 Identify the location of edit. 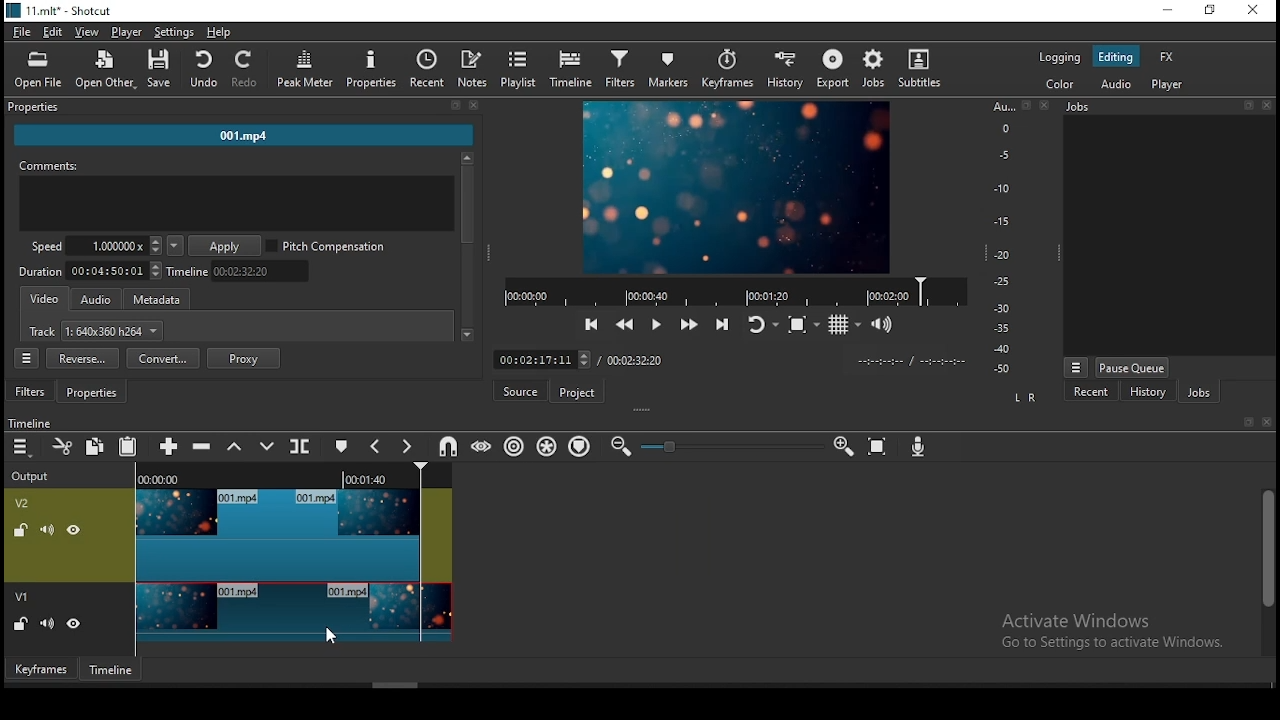
(53, 33).